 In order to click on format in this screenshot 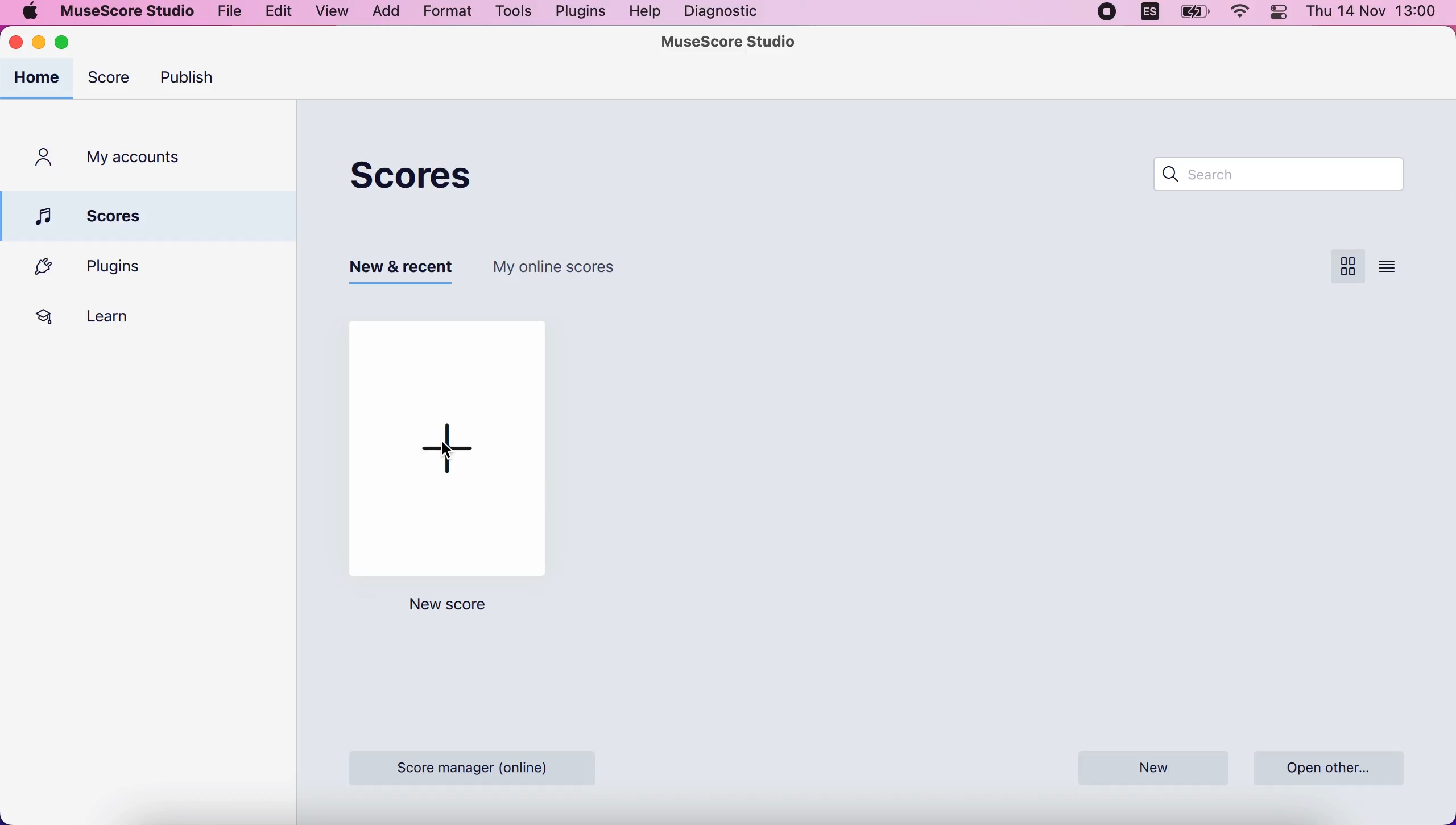, I will do `click(449, 13)`.